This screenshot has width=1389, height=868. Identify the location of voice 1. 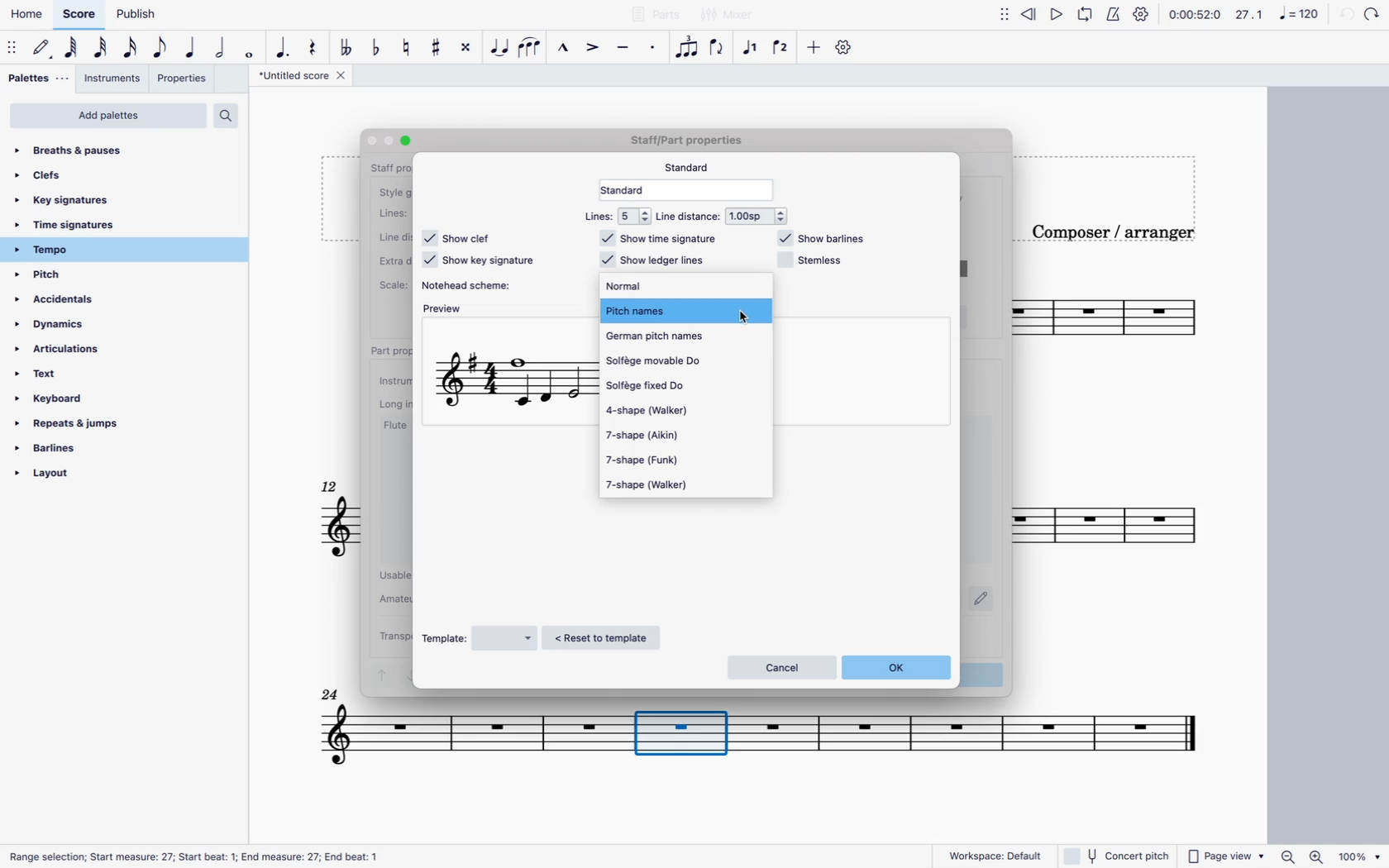
(752, 46).